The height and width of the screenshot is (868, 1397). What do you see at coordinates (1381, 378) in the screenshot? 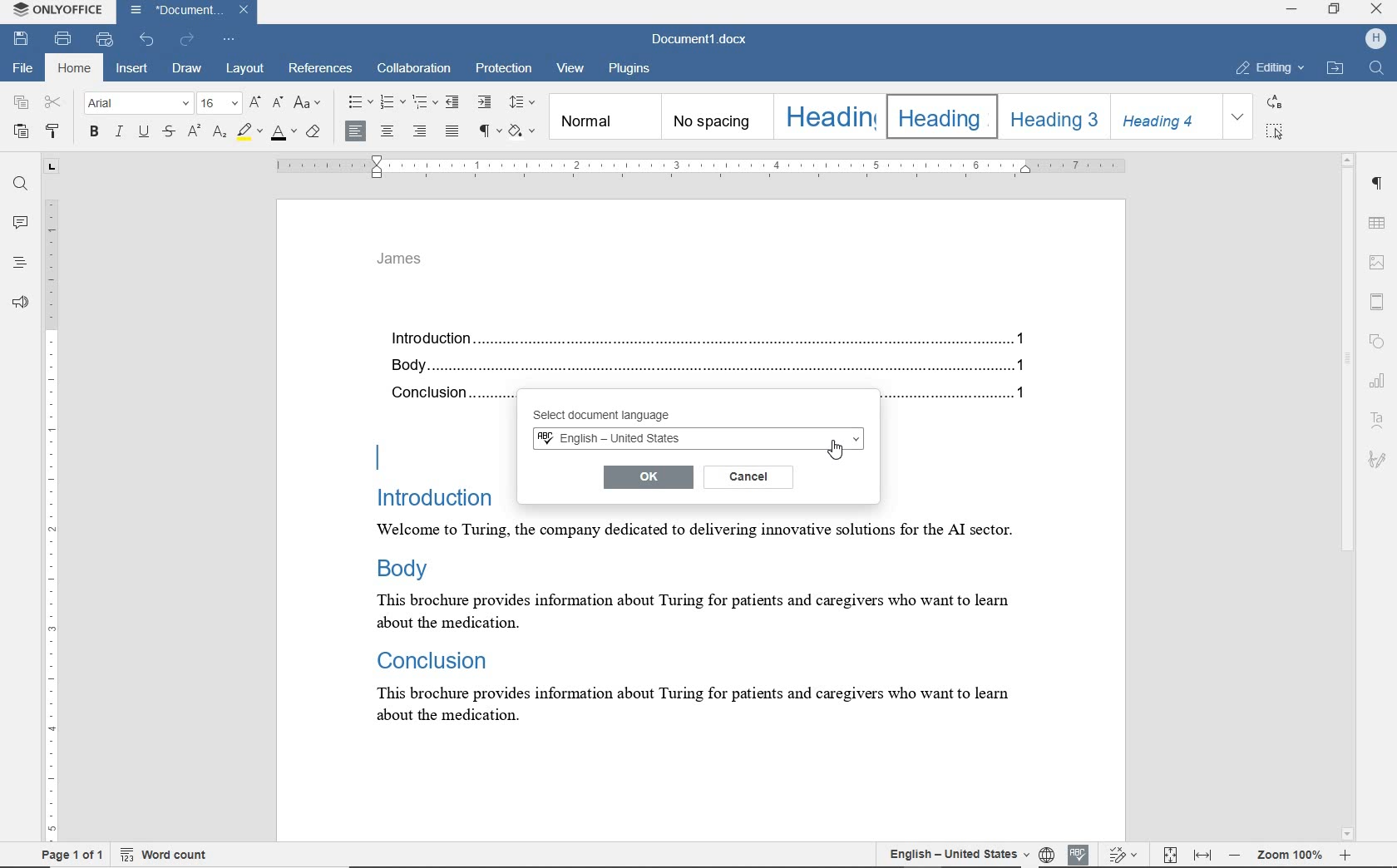
I see `charts` at bounding box center [1381, 378].